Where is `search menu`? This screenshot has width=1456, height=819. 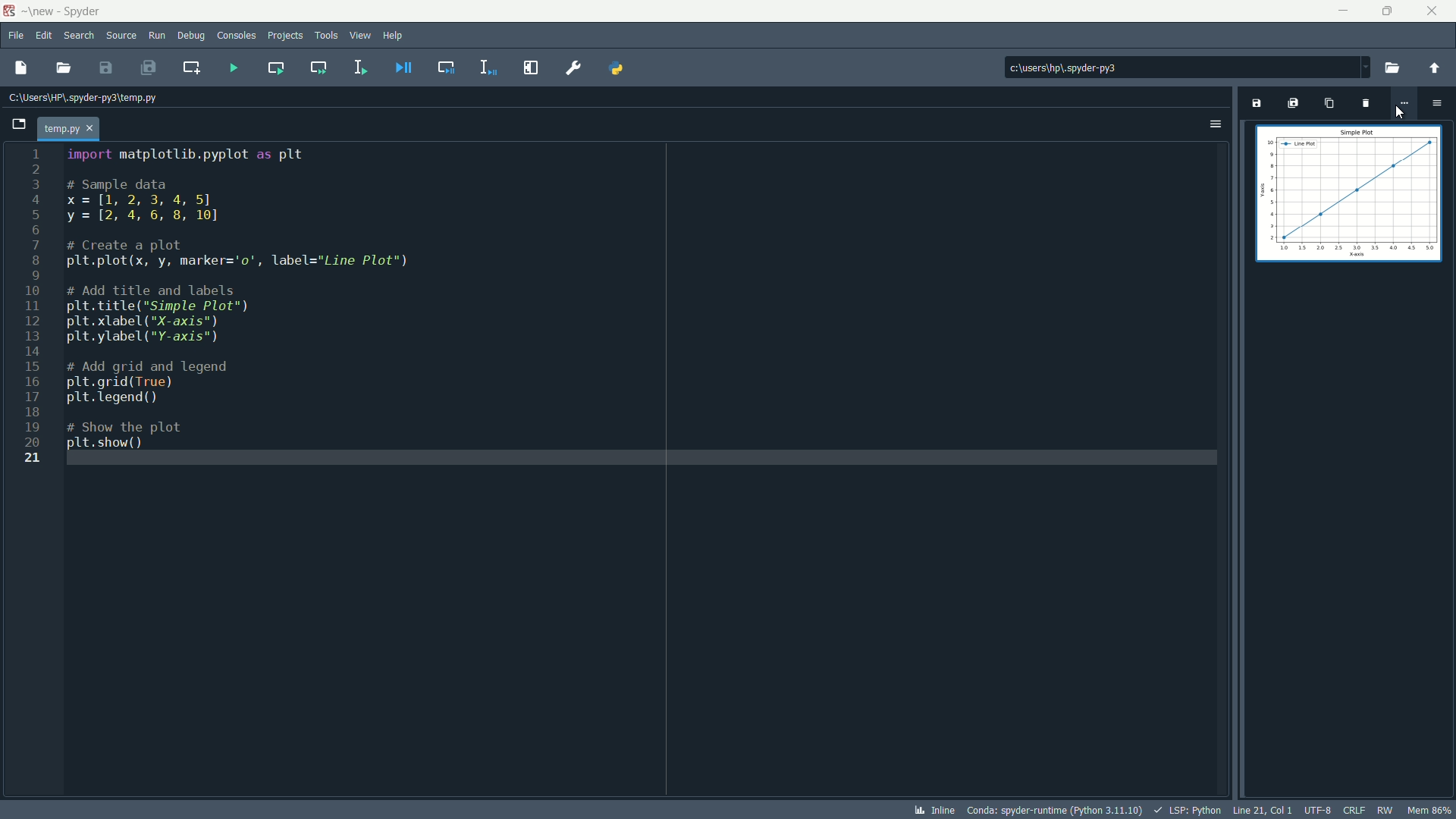
search menu is located at coordinates (80, 35).